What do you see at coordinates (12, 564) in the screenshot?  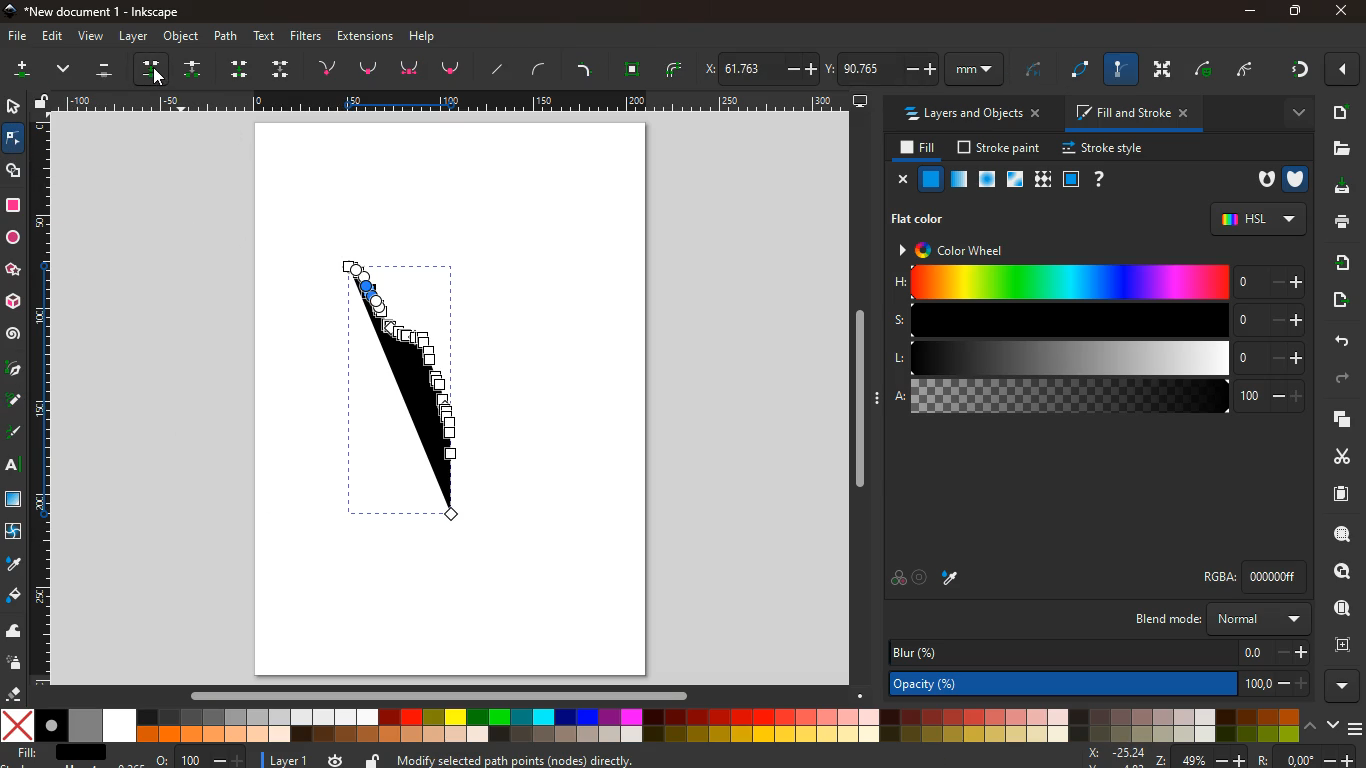 I see `drop` at bounding box center [12, 564].